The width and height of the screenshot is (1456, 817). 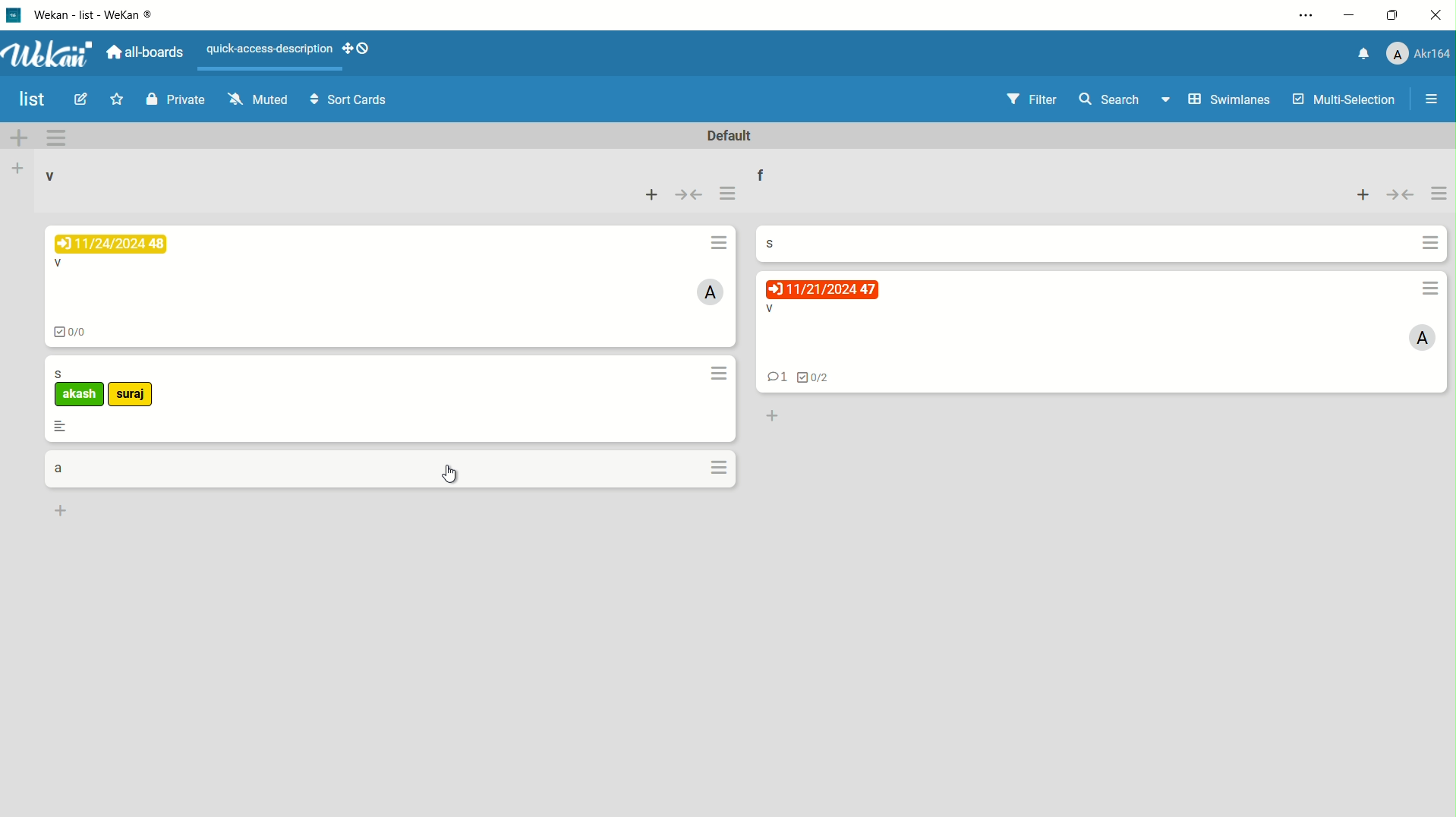 What do you see at coordinates (1351, 17) in the screenshot?
I see `minimize` at bounding box center [1351, 17].